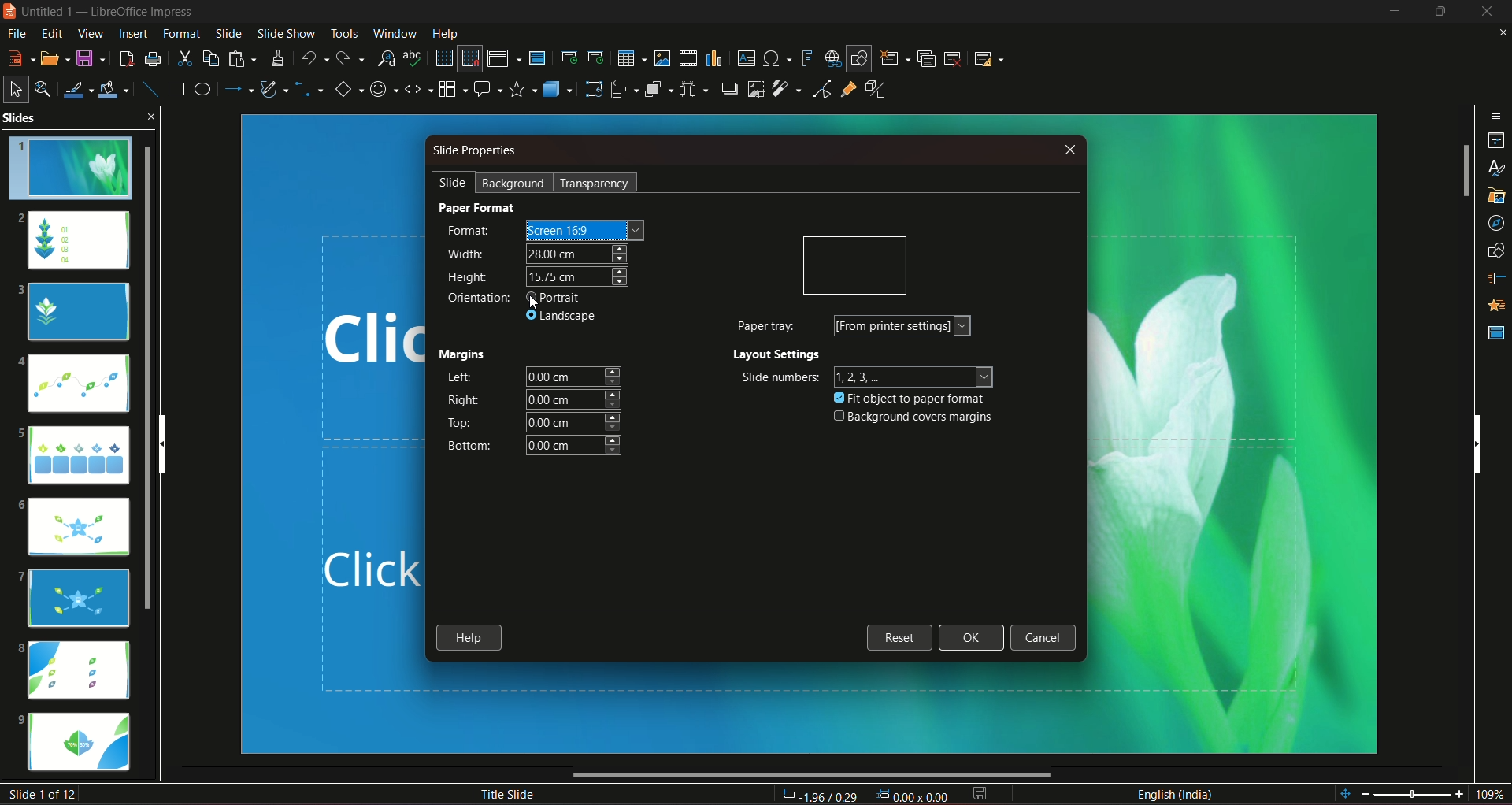  I want to click on slide, so click(448, 183).